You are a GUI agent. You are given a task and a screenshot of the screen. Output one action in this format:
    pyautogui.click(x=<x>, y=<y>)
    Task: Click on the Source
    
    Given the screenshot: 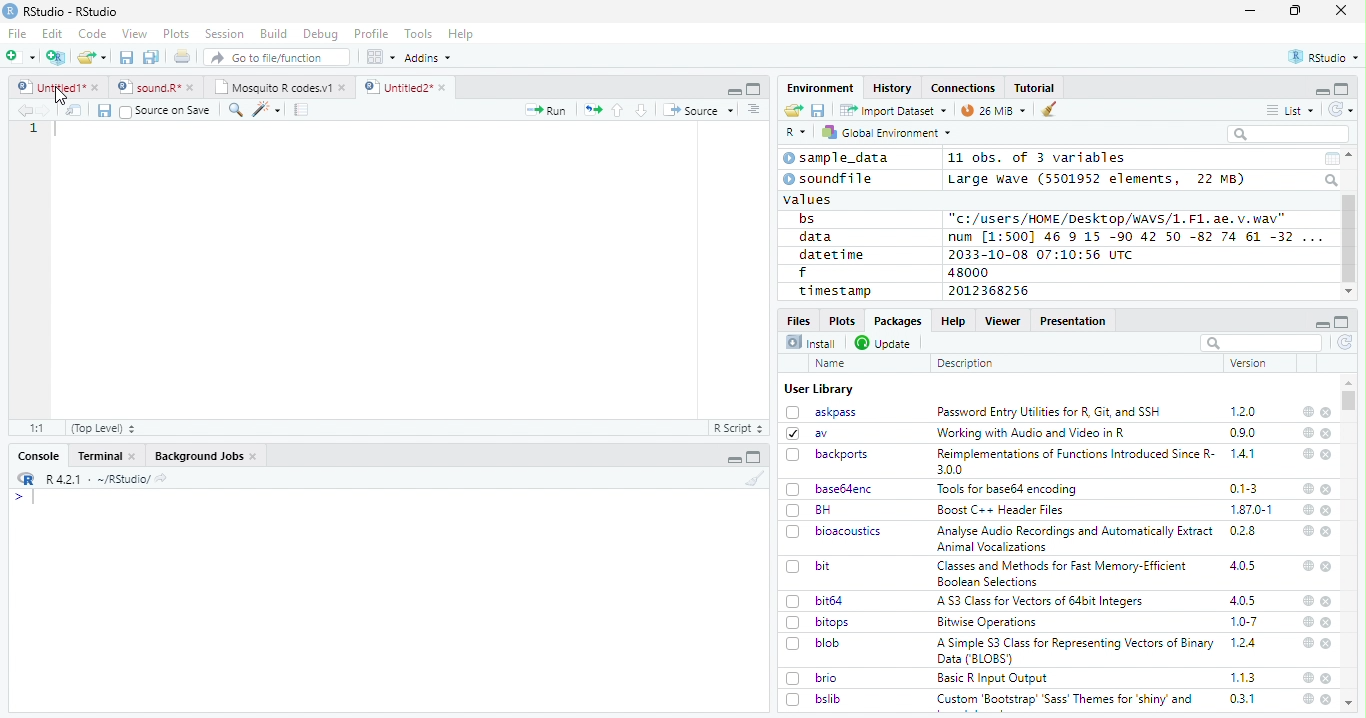 What is the action you would take?
    pyautogui.click(x=698, y=112)
    